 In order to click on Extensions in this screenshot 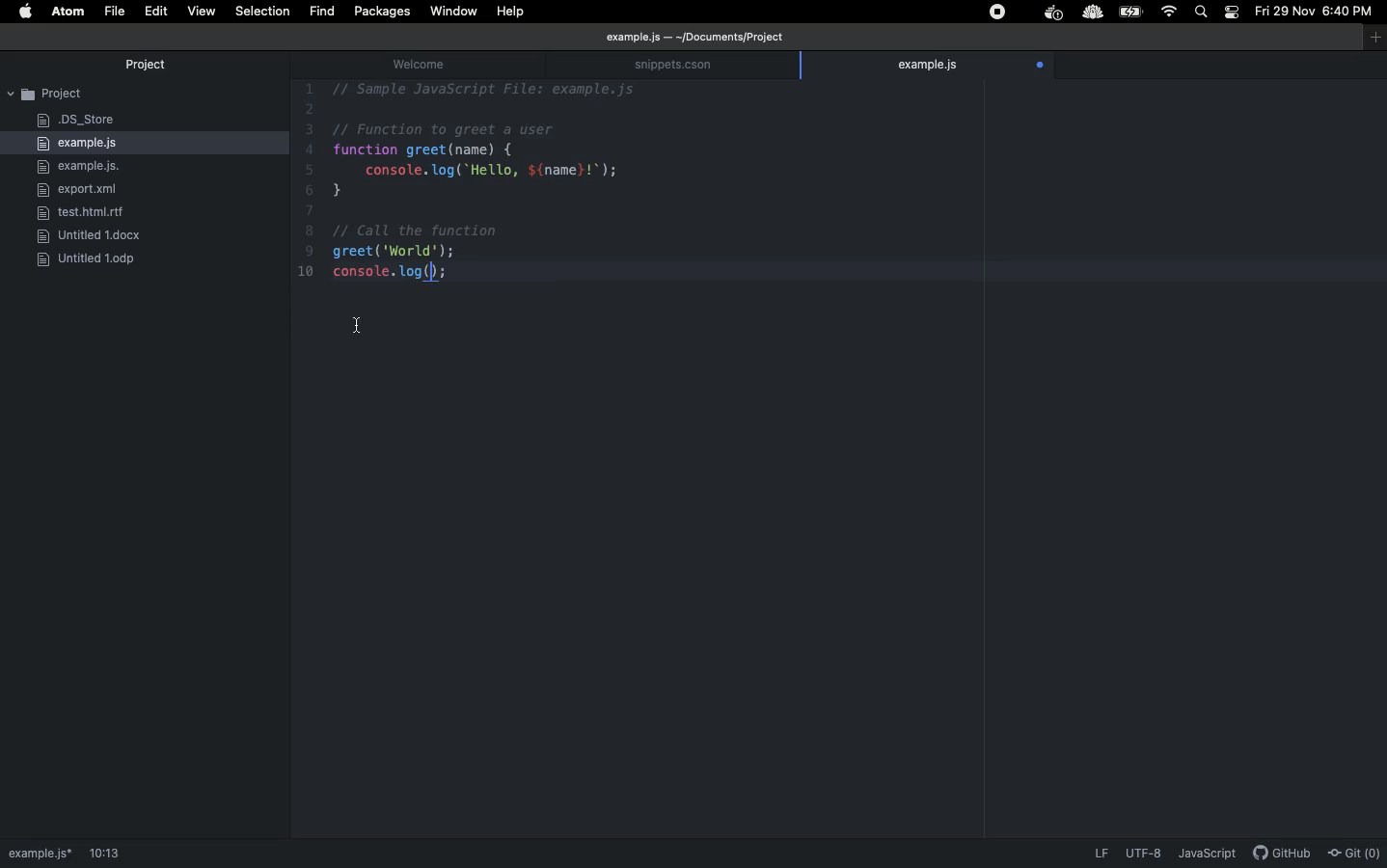, I will do `click(1004, 12)`.